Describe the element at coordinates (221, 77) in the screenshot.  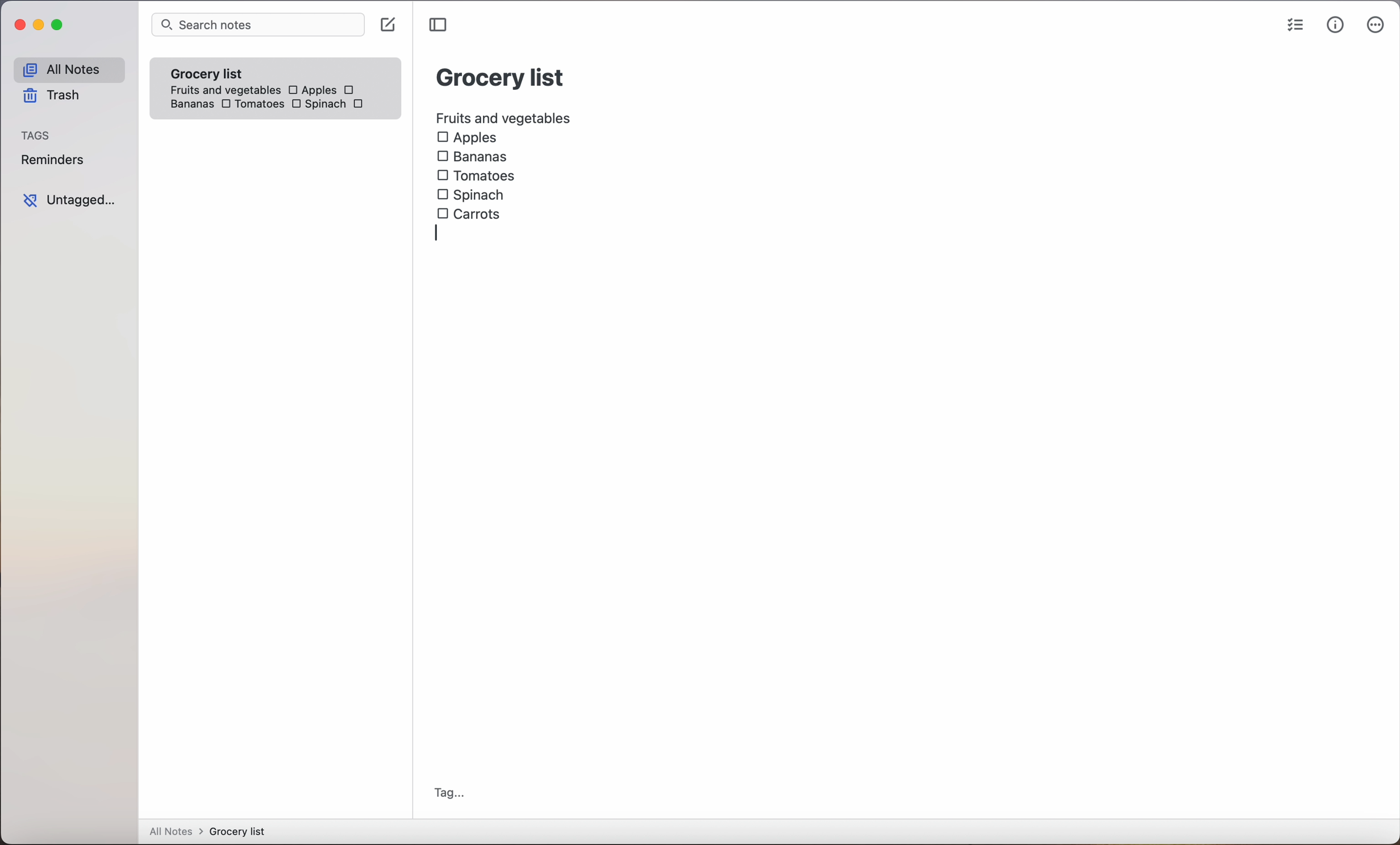
I see `grocery list note fruits and vegetables` at that location.